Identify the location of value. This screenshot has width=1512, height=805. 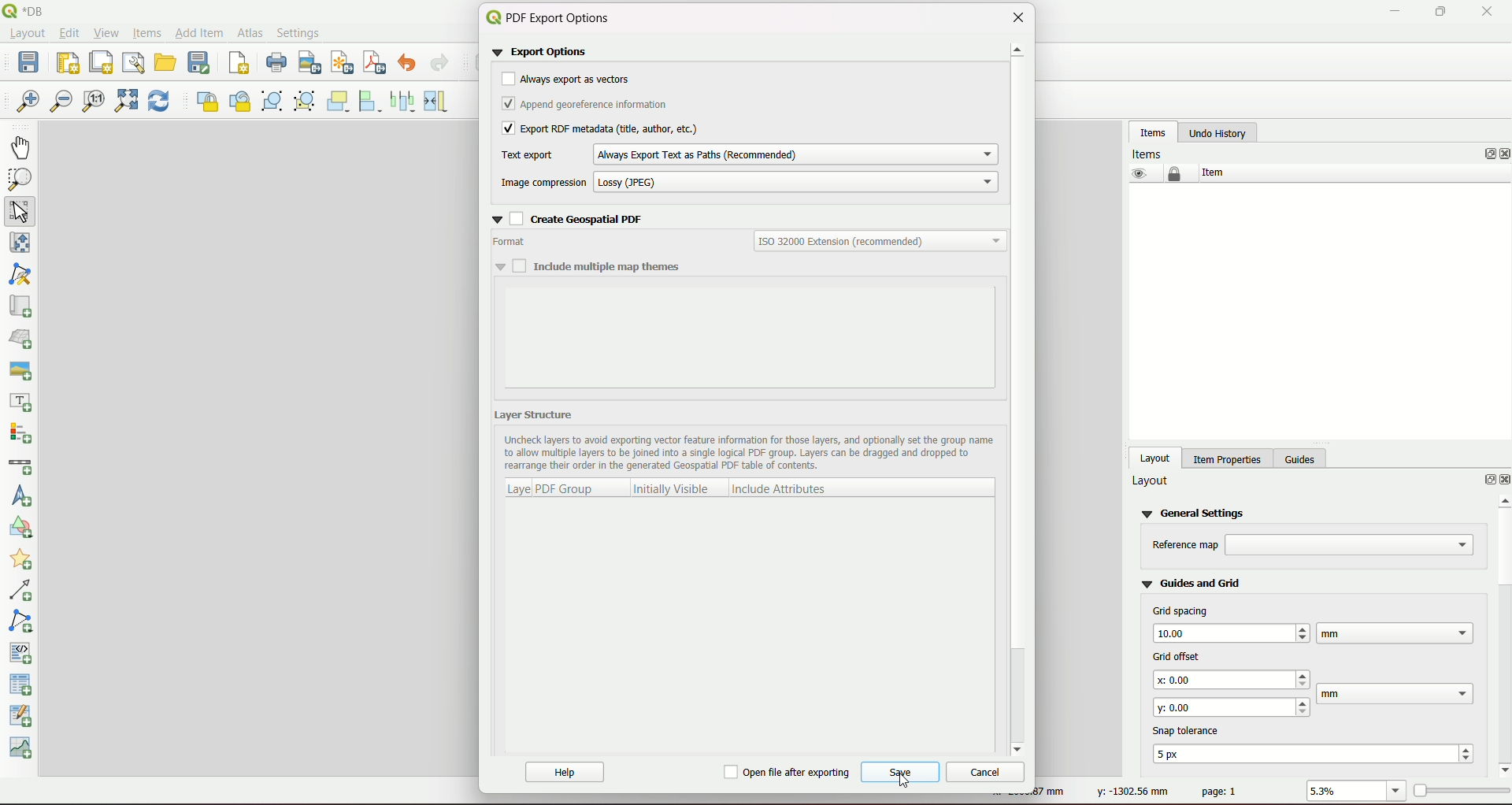
(1344, 792).